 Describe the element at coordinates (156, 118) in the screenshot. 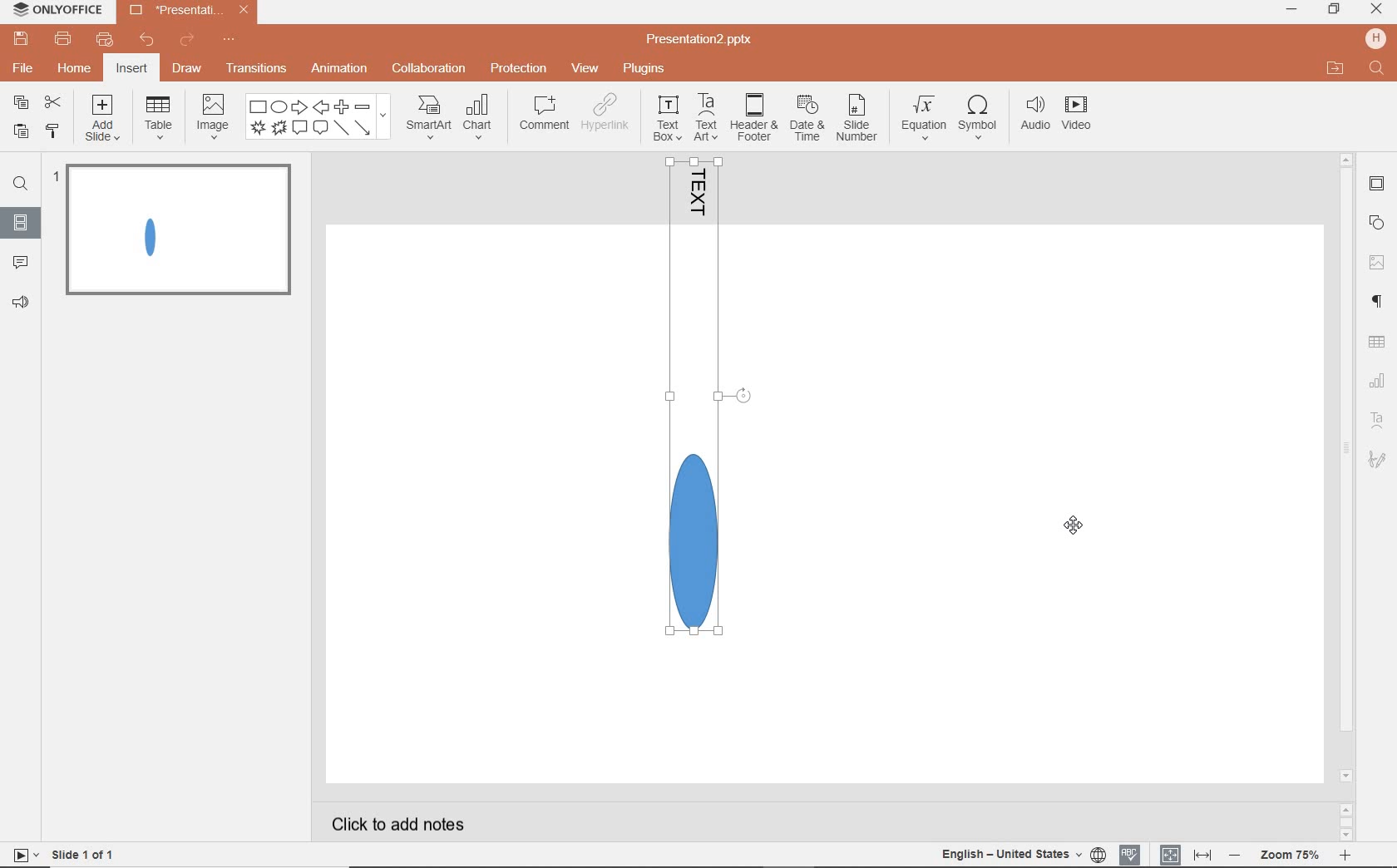

I see `table` at that location.